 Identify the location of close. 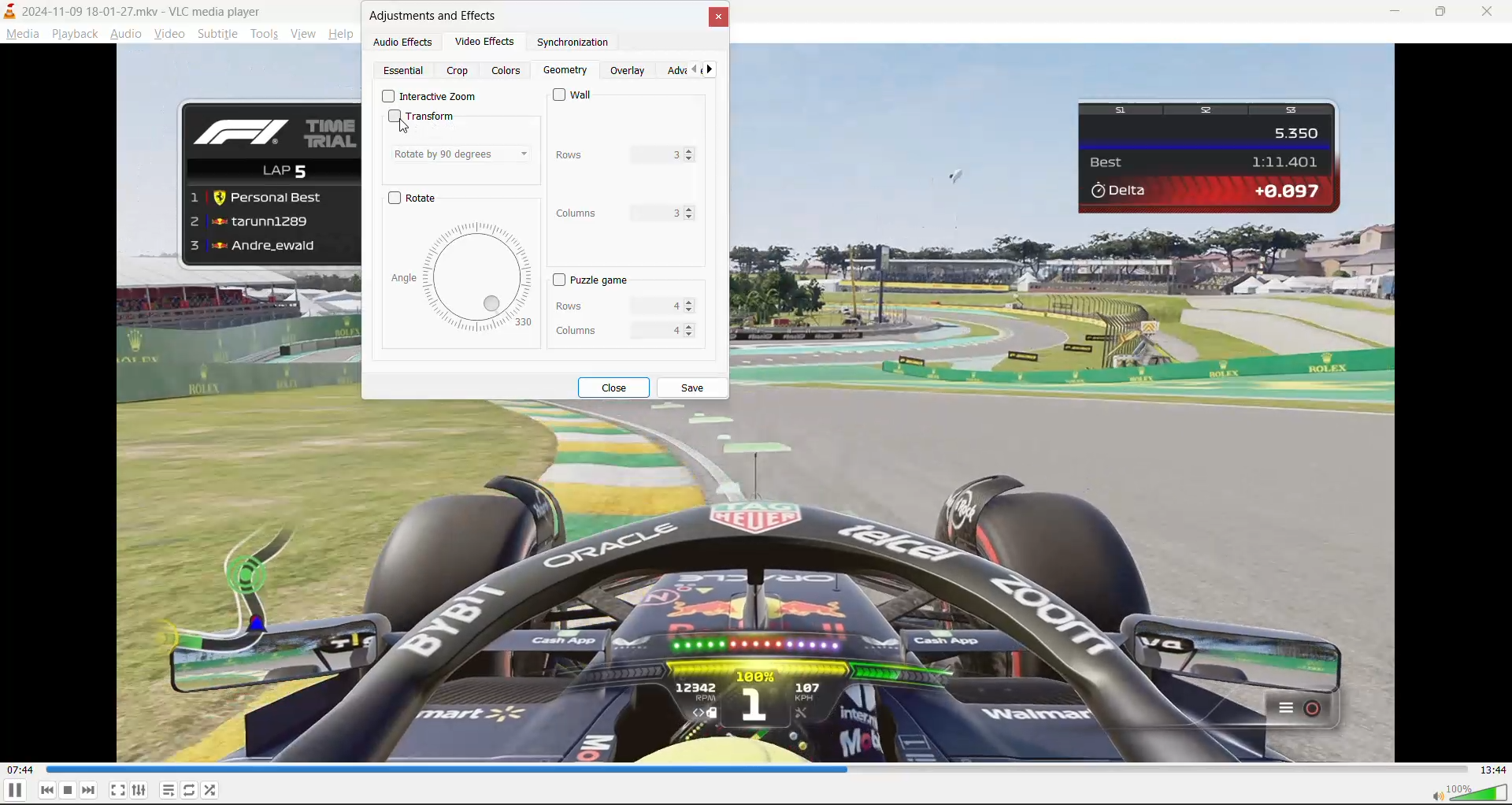
(717, 18).